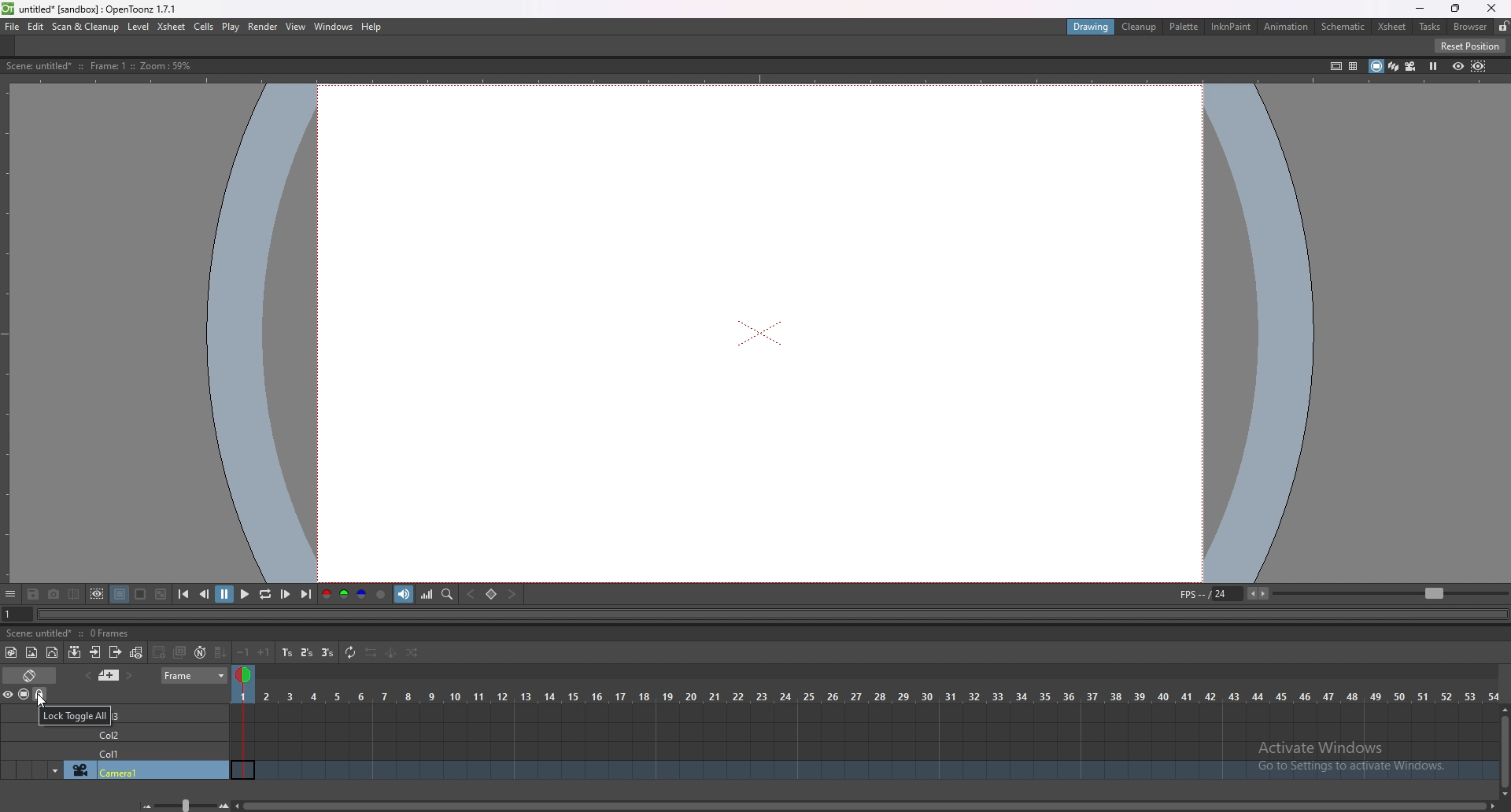  I want to click on blue, so click(362, 595).